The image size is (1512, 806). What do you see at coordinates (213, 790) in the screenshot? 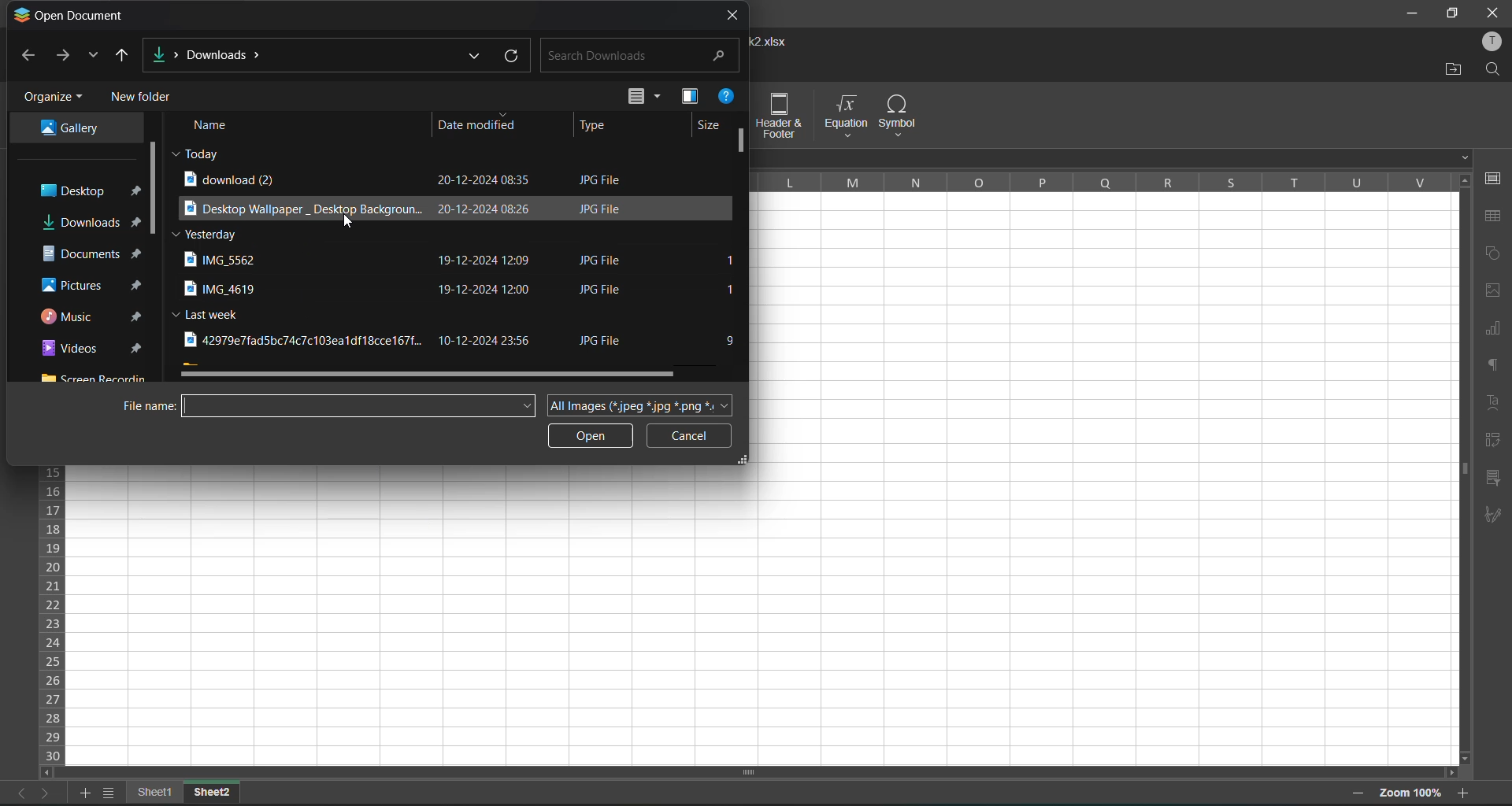
I see `sheet2` at bounding box center [213, 790].